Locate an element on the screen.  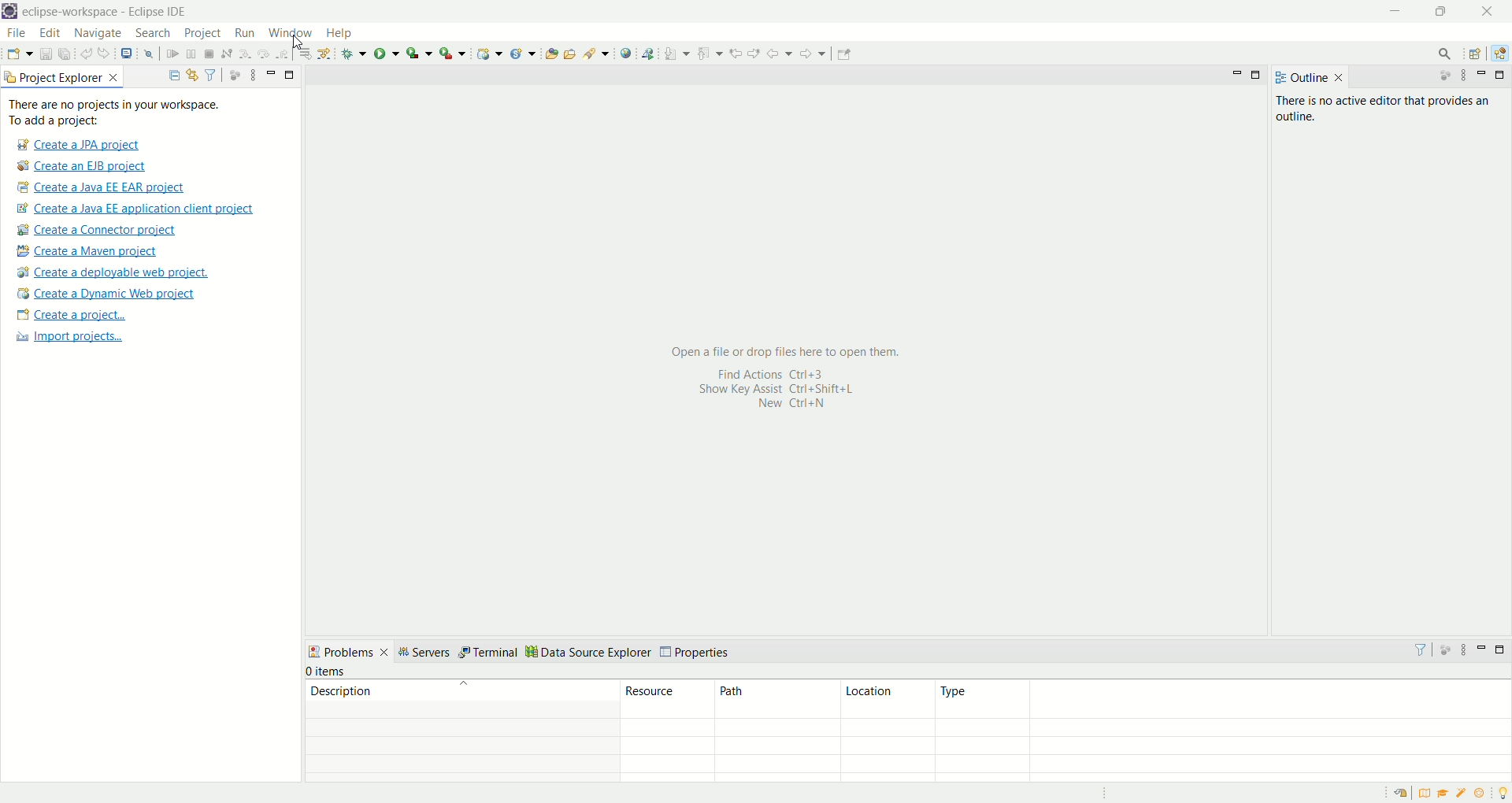
web service explorer is located at coordinates (647, 53).